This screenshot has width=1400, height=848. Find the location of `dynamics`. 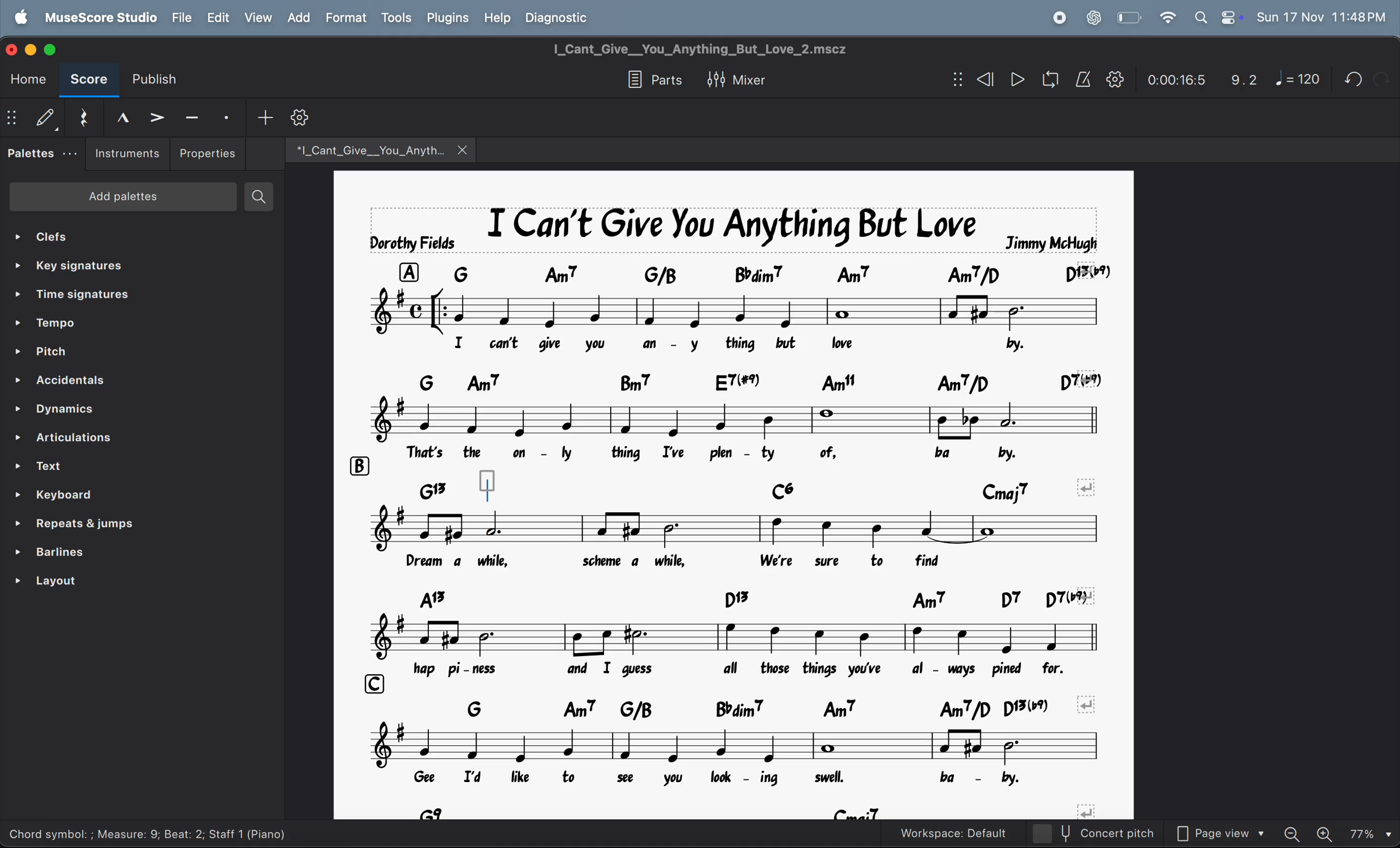

dynamics is located at coordinates (123, 412).